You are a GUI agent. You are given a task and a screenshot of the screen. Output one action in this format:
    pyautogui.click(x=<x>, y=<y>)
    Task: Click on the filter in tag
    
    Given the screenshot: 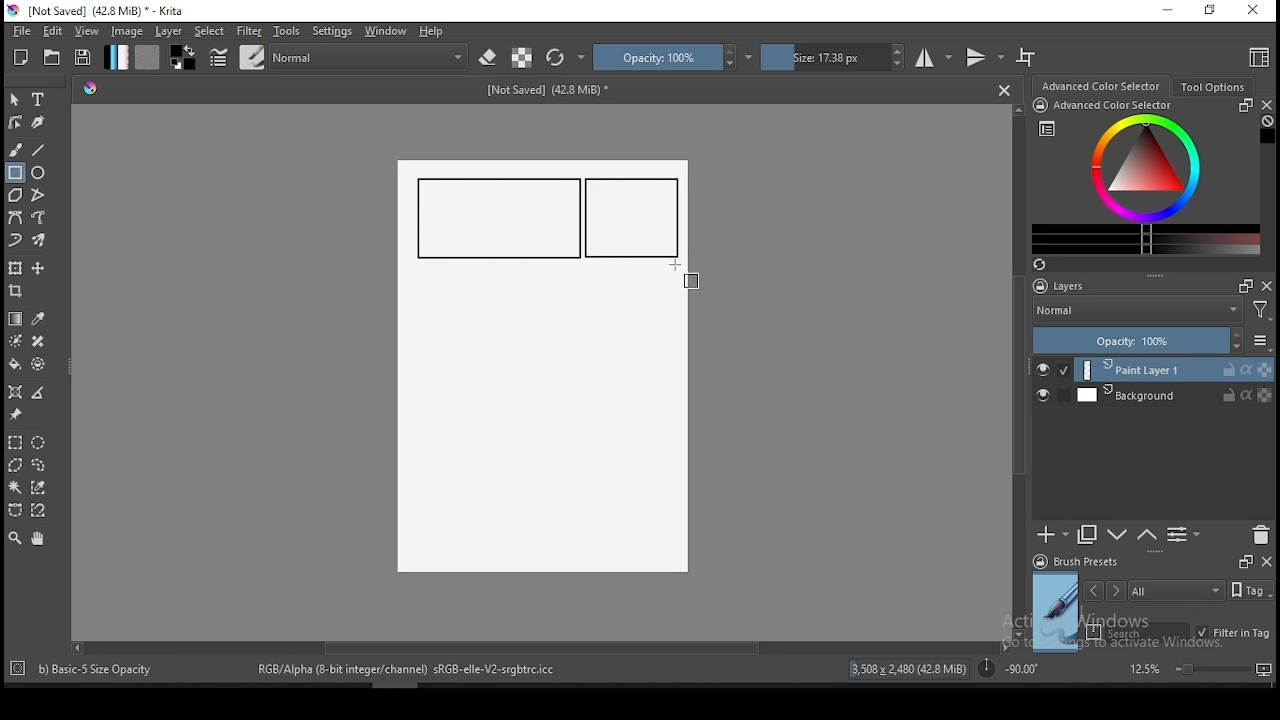 What is the action you would take?
    pyautogui.click(x=1233, y=634)
    